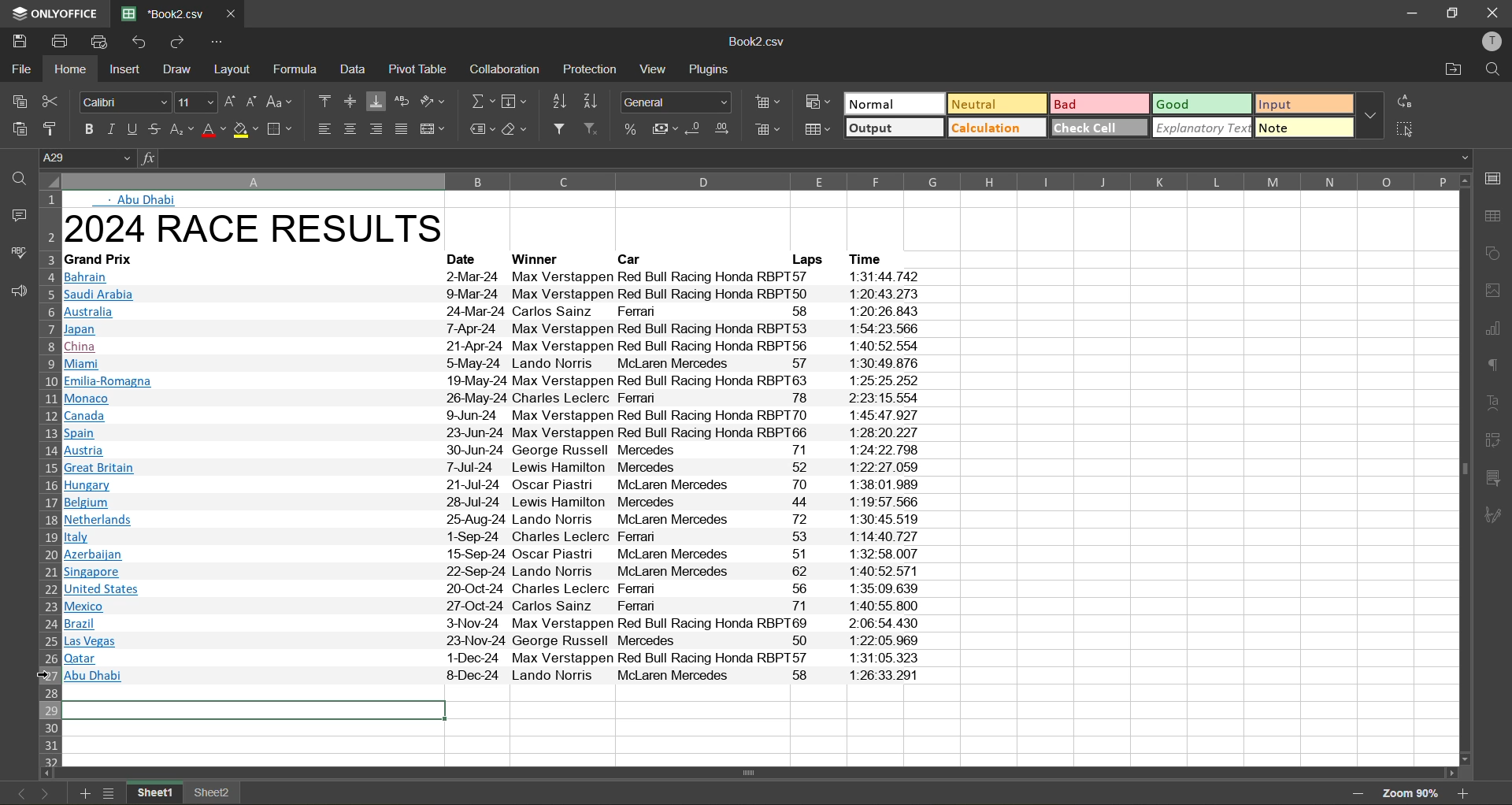  What do you see at coordinates (84, 127) in the screenshot?
I see `bold` at bounding box center [84, 127].